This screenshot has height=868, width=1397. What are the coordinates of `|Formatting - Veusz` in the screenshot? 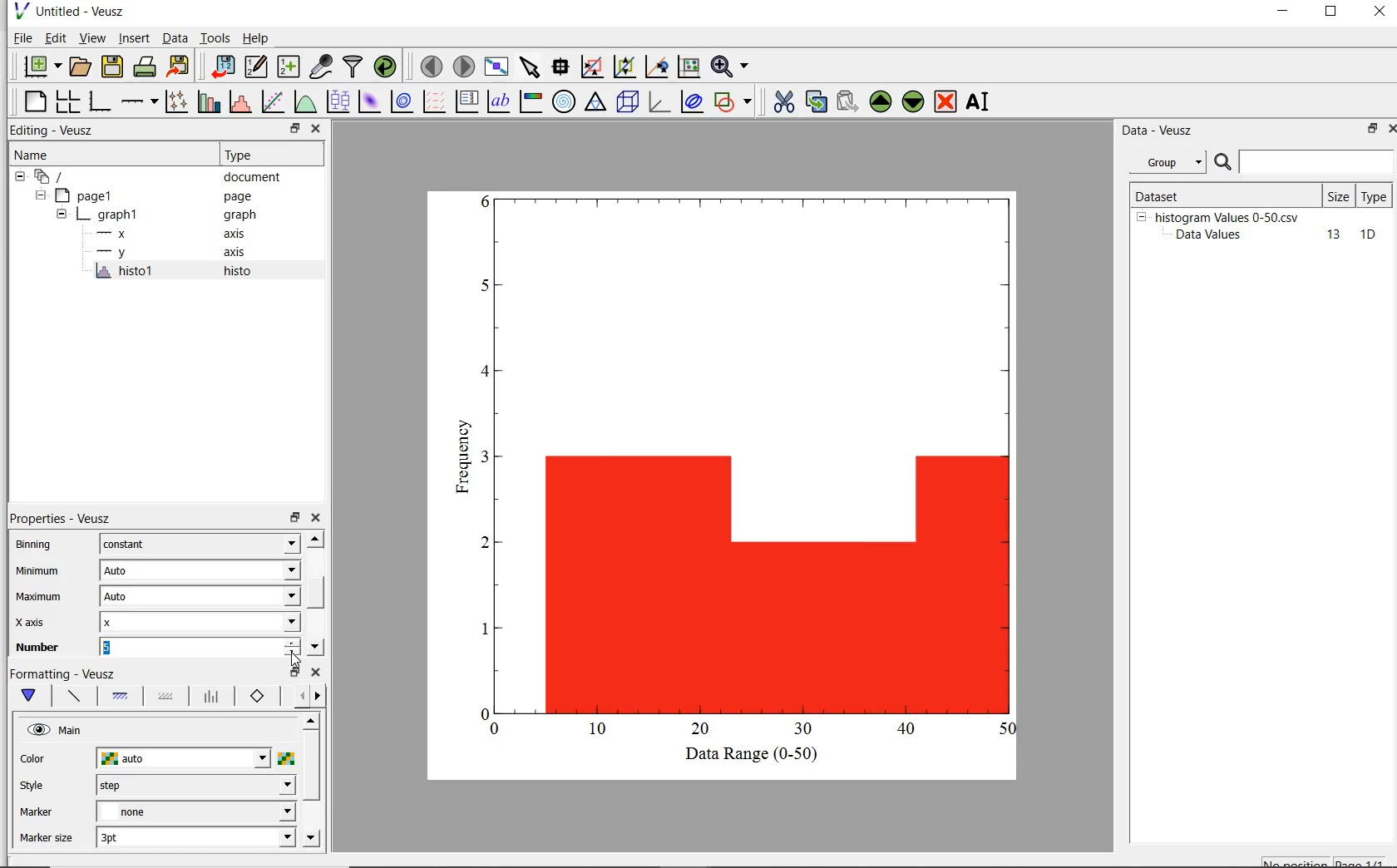 It's located at (64, 673).